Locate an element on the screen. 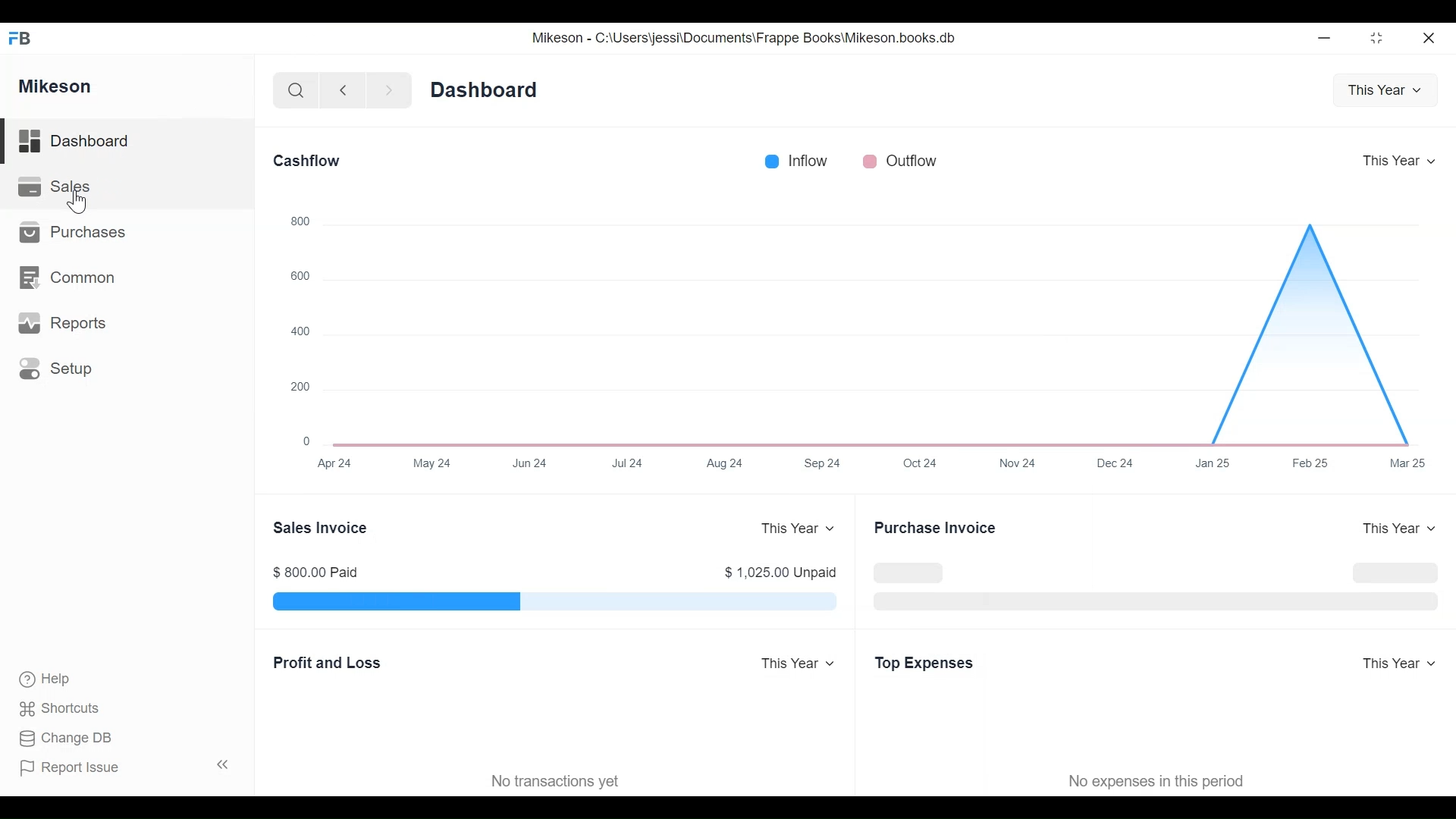 The height and width of the screenshot is (819, 1456). Graph is located at coordinates (1153, 581).